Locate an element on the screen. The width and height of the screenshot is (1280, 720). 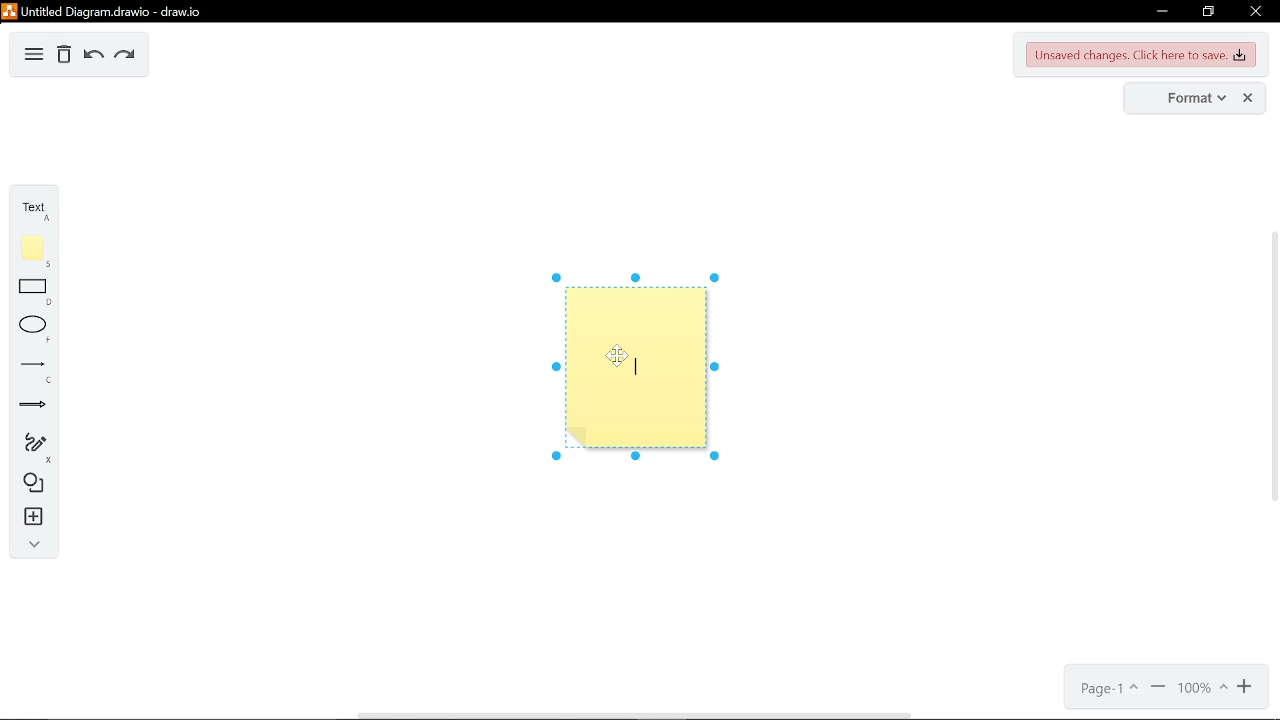
current zoom is located at coordinates (1202, 690).